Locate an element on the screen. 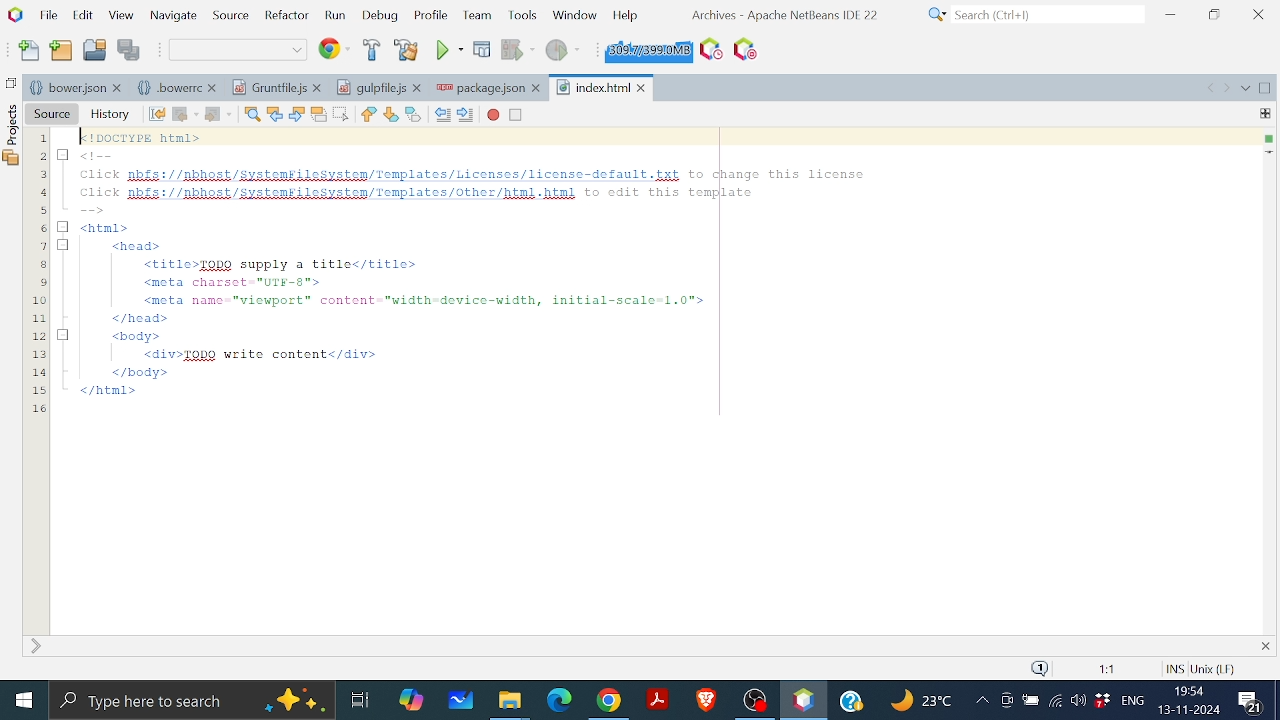 This screenshot has width=1280, height=720. Files is located at coordinates (510, 702).